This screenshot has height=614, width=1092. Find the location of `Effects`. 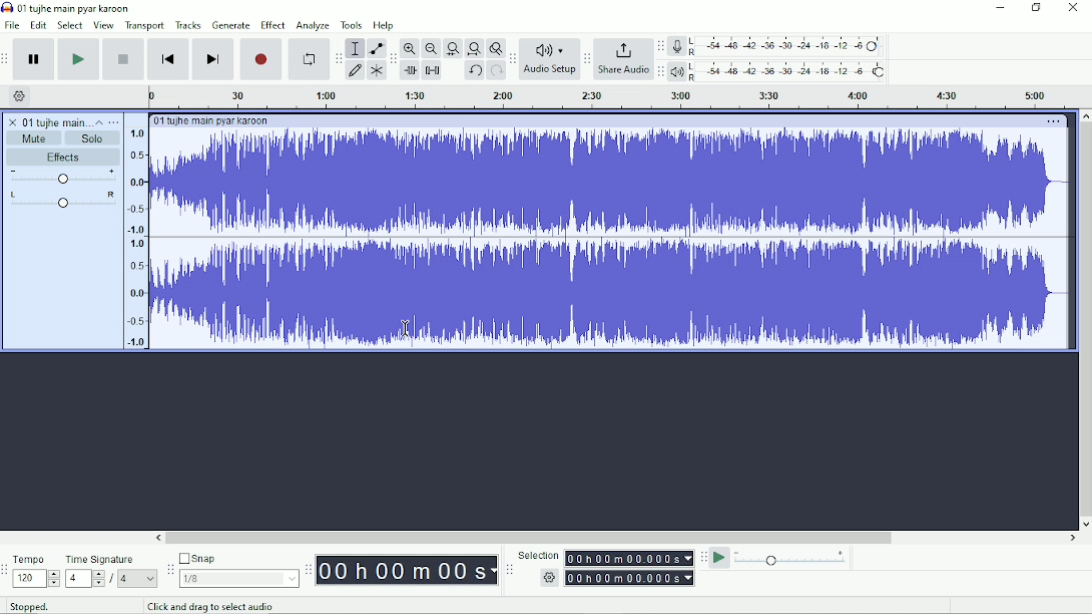

Effects is located at coordinates (67, 157).